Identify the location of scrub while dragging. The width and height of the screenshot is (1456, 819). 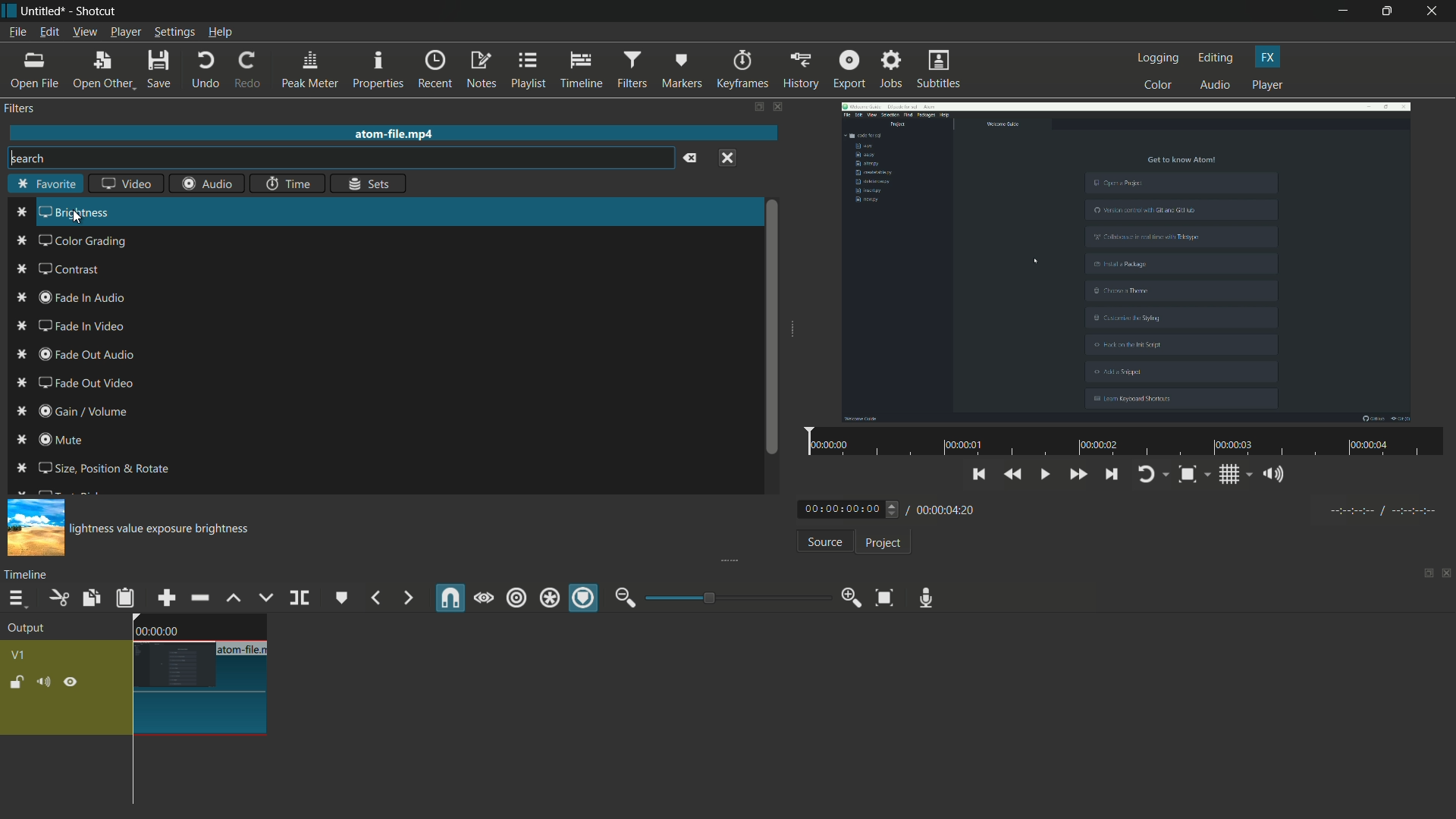
(483, 598).